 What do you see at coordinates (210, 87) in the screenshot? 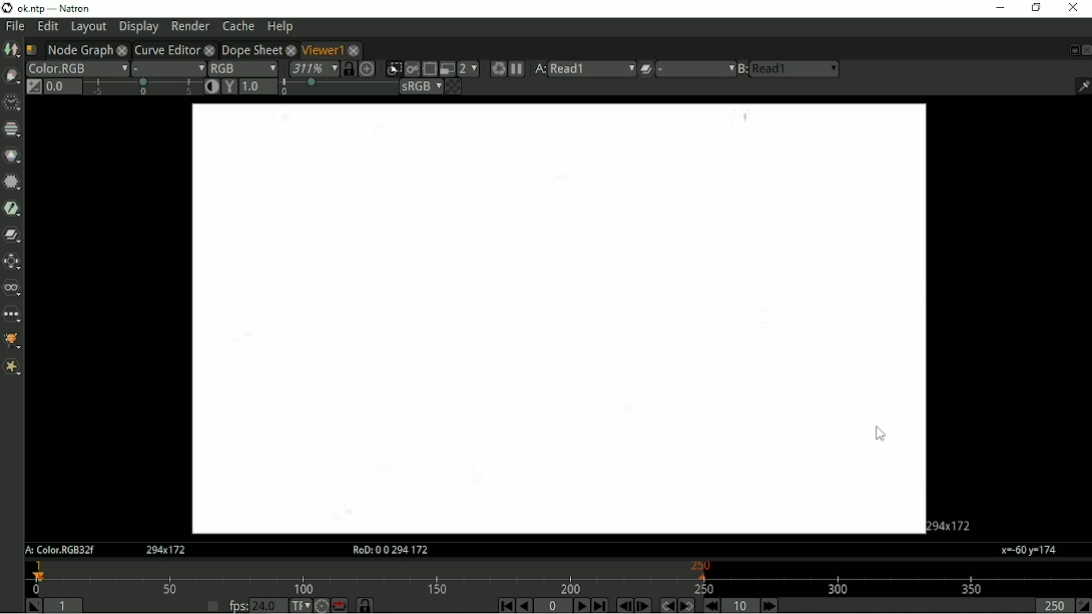
I see `Auto-contrast` at bounding box center [210, 87].